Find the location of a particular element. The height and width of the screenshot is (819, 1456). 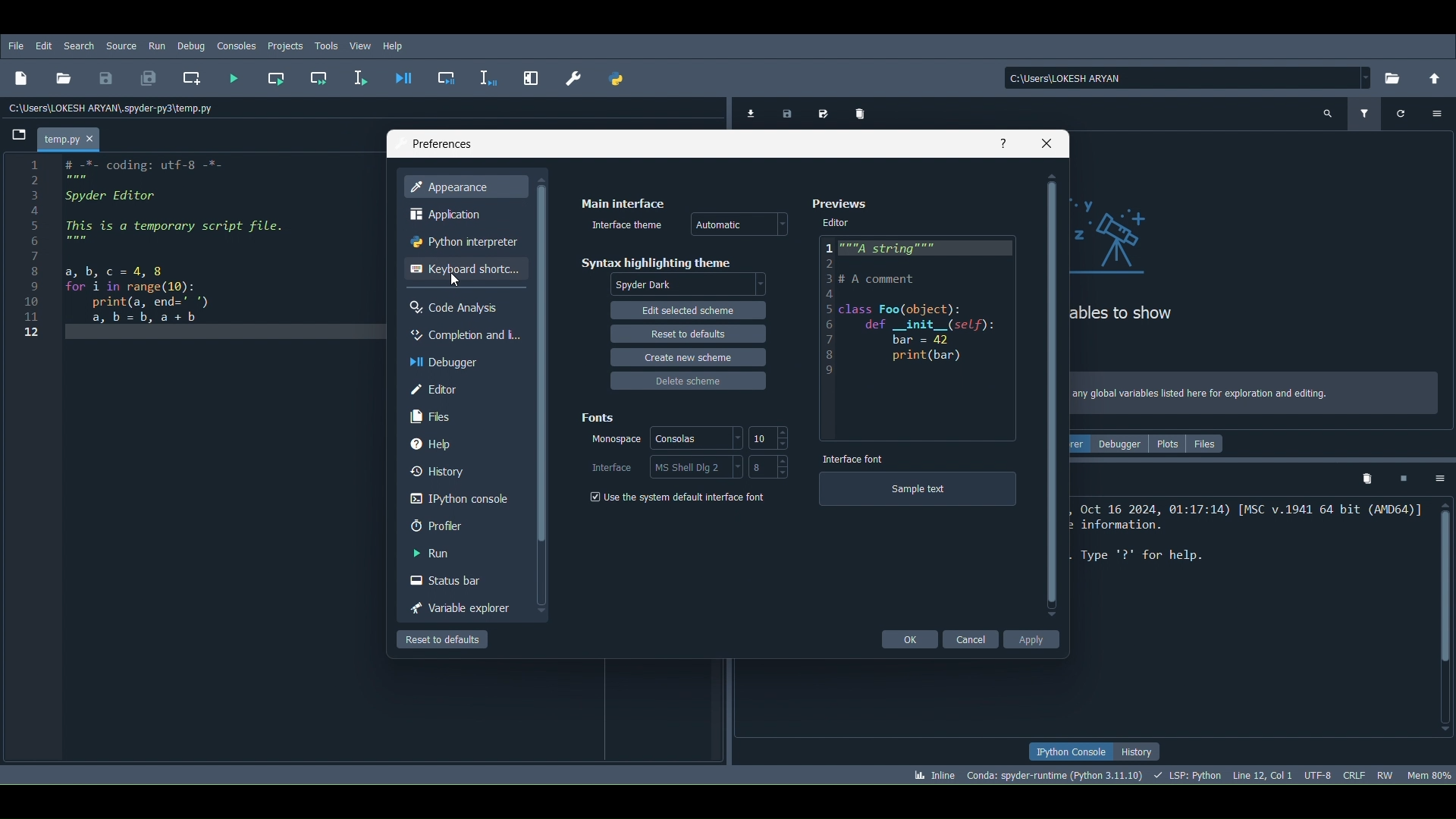

File is located at coordinates (16, 46).